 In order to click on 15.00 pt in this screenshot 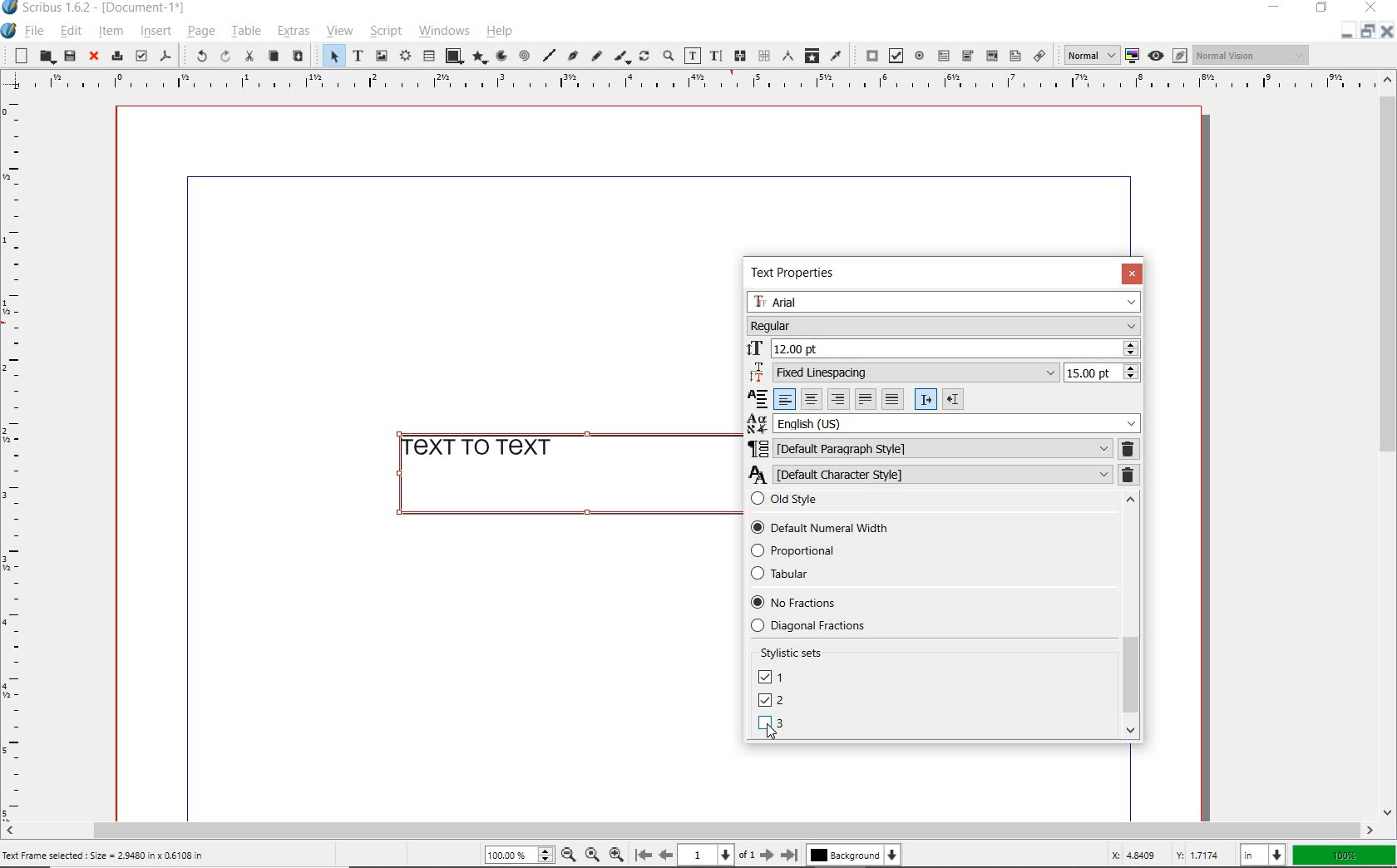, I will do `click(1100, 373)`.